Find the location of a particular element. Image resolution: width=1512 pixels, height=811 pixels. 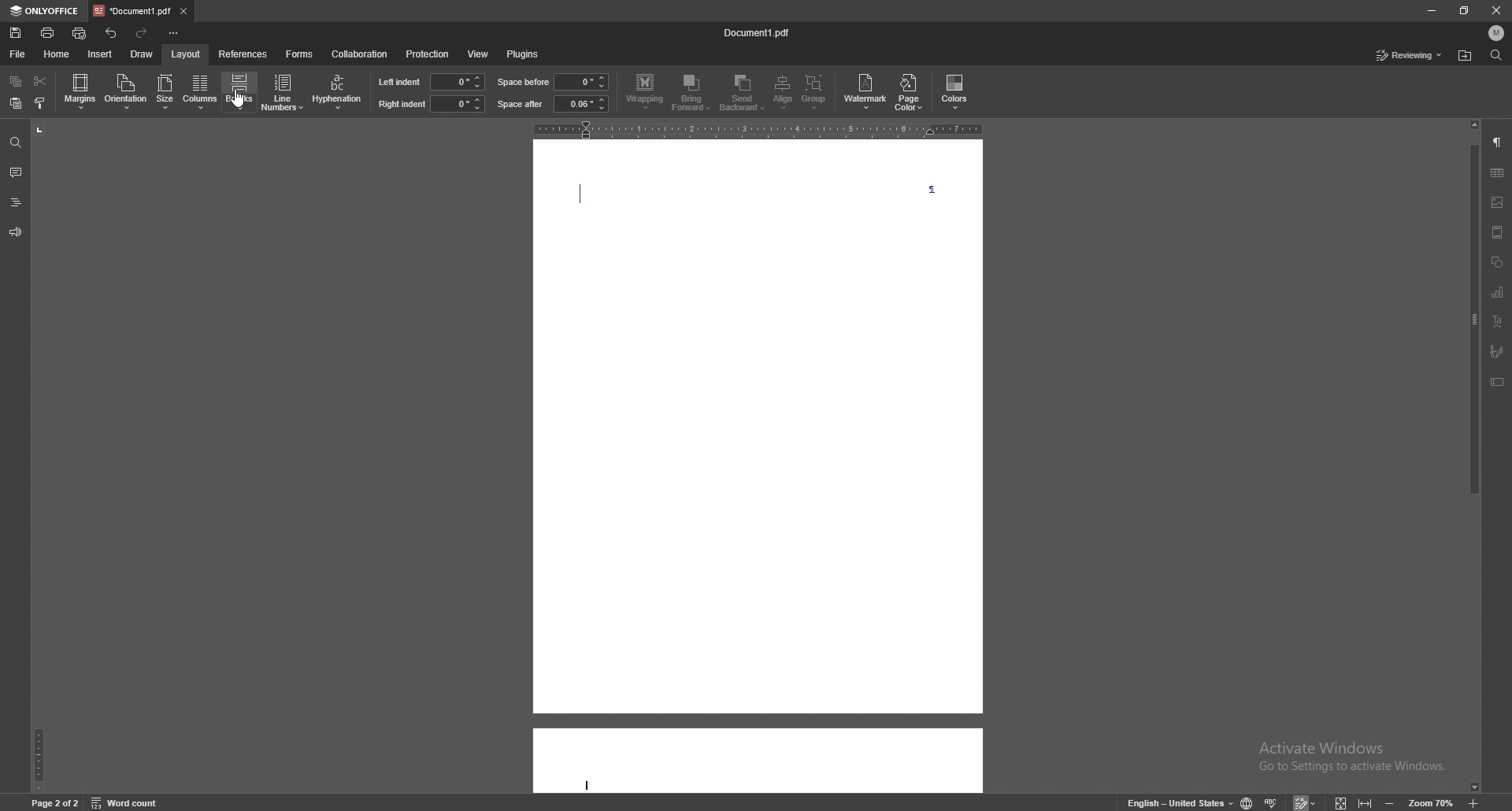

line numbers is located at coordinates (282, 93).